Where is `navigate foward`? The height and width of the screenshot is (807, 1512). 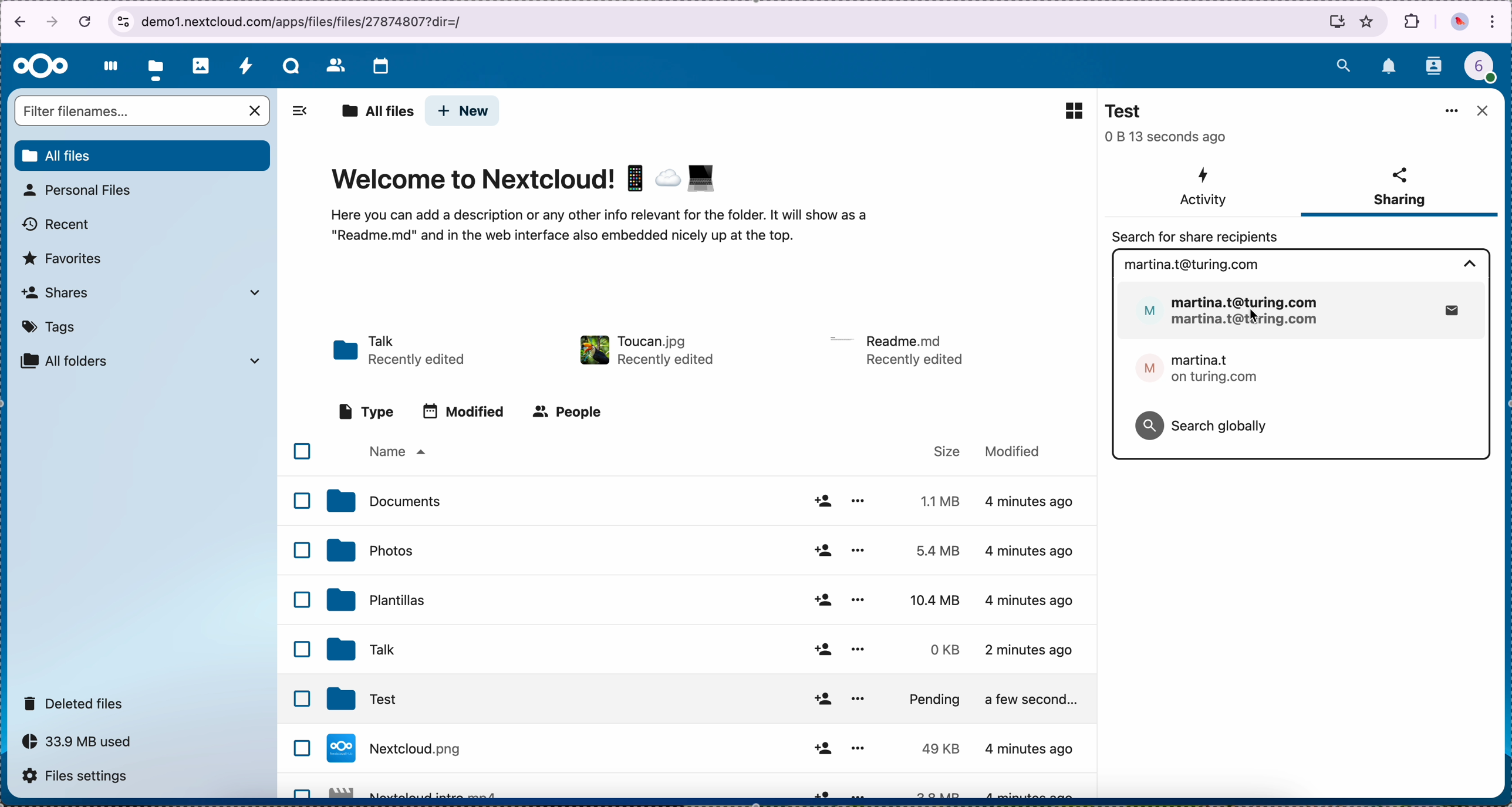 navigate foward is located at coordinates (53, 23).